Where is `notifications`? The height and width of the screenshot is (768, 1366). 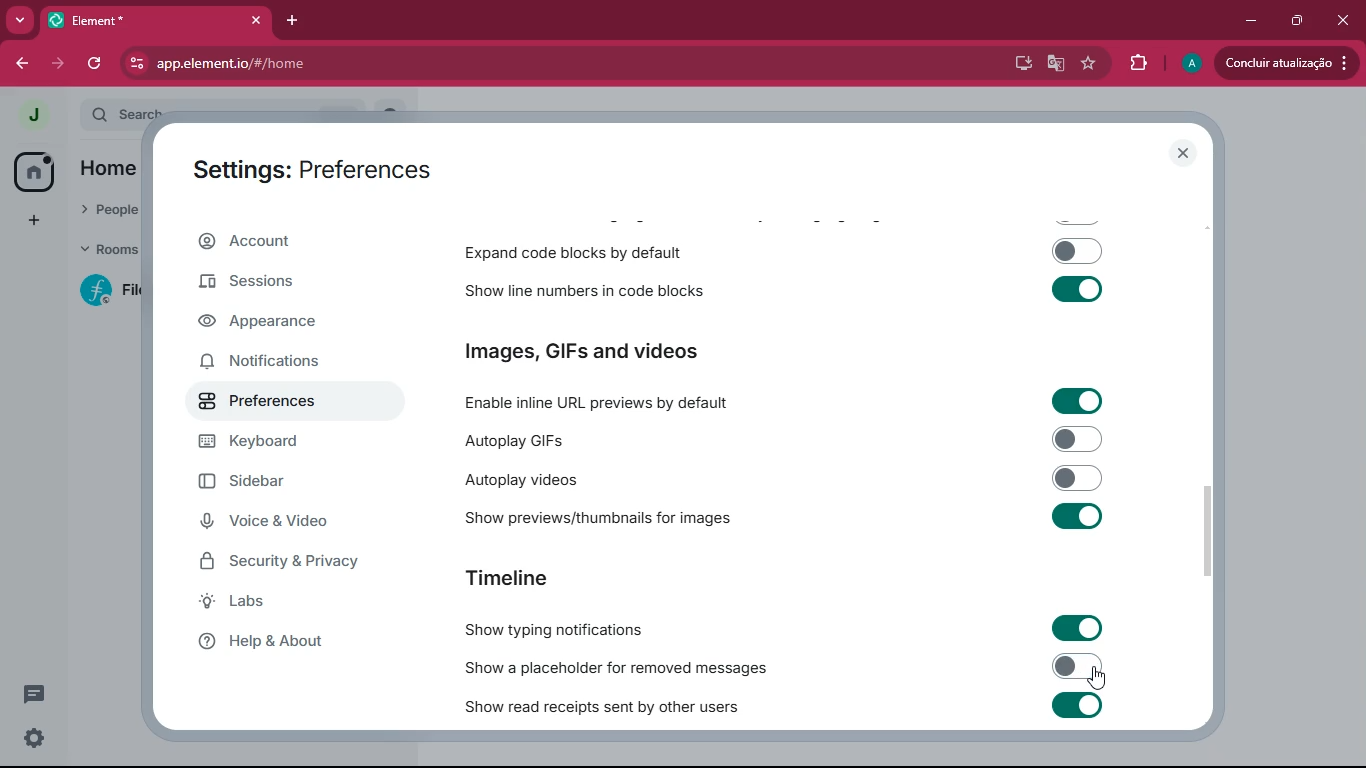 notifications is located at coordinates (276, 363).